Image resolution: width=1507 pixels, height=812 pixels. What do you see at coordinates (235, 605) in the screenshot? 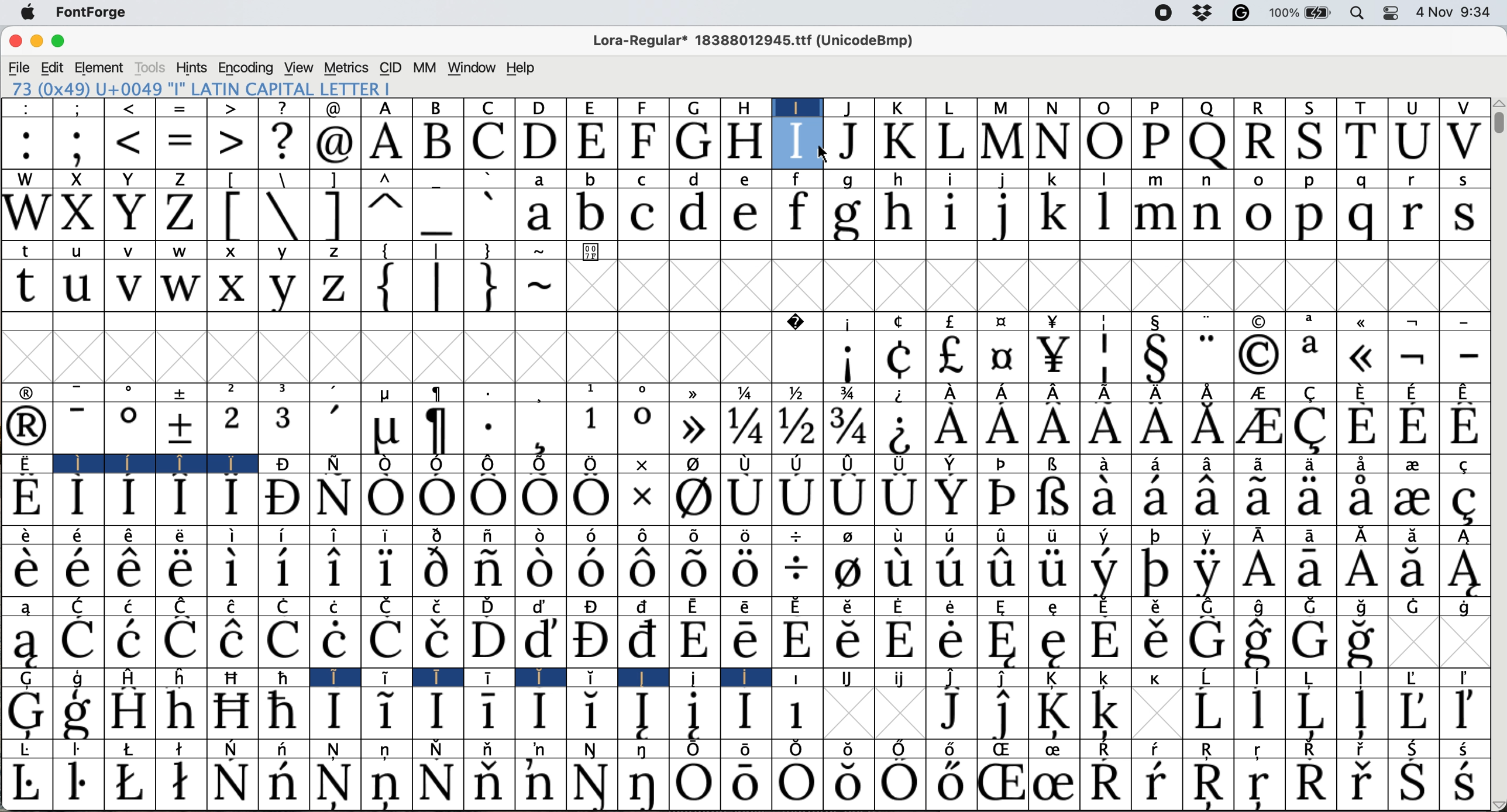
I see `Symbol` at bounding box center [235, 605].